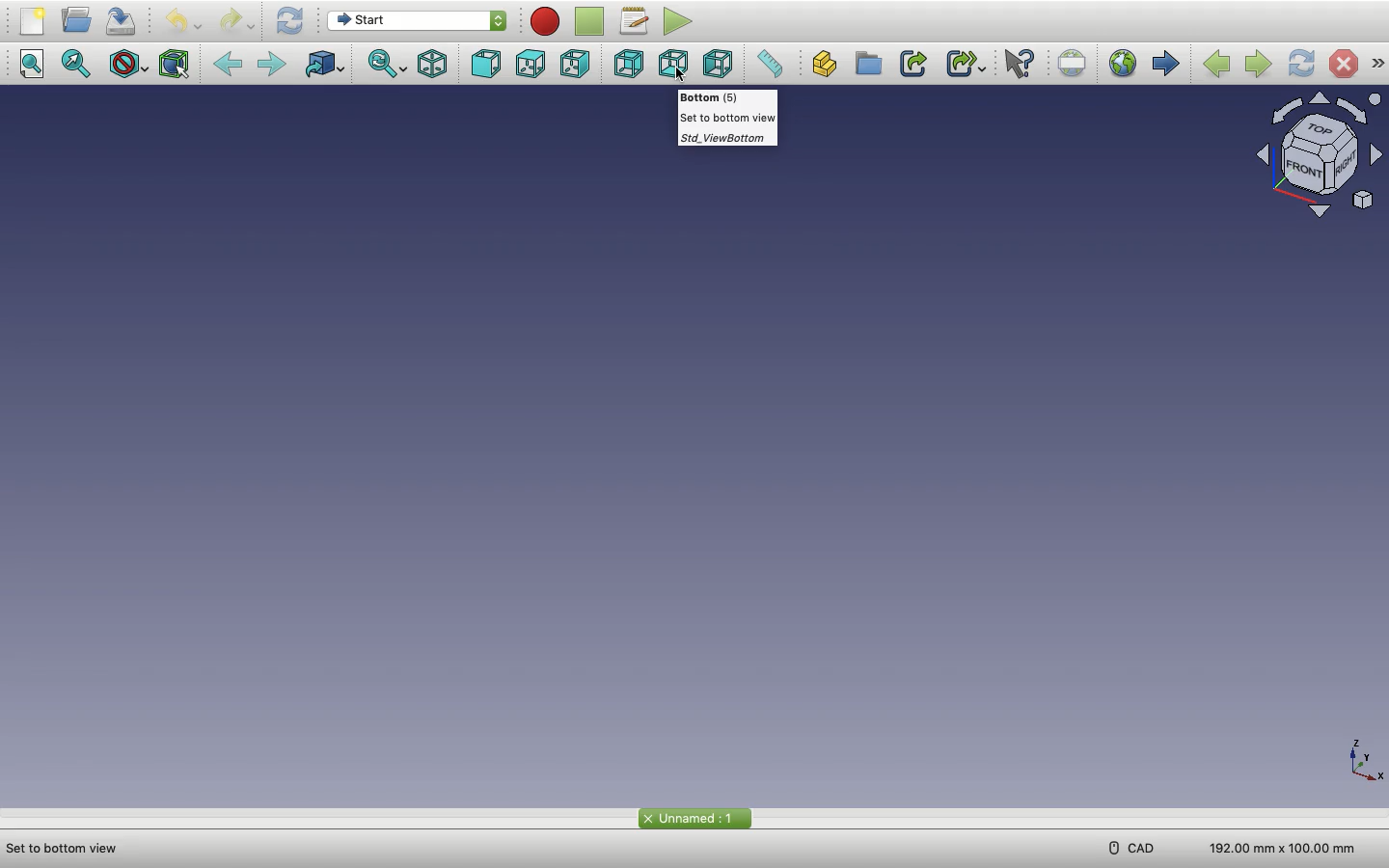 The image size is (1389, 868). Describe the element at coordinates (125, 21) in the screenshot. I see `Save` at that location.